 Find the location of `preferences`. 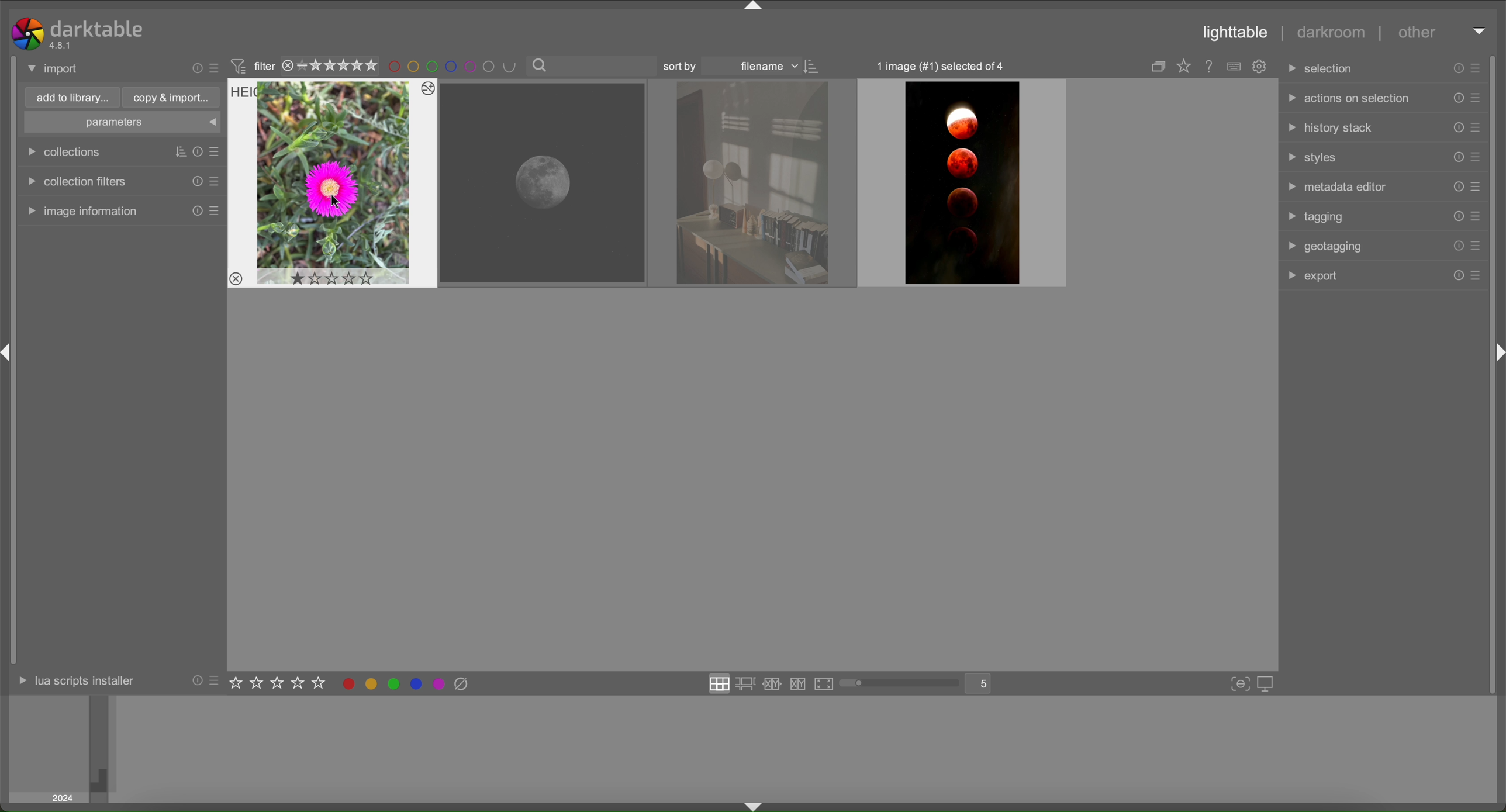

preferences is located at coordinates (1261, 67).